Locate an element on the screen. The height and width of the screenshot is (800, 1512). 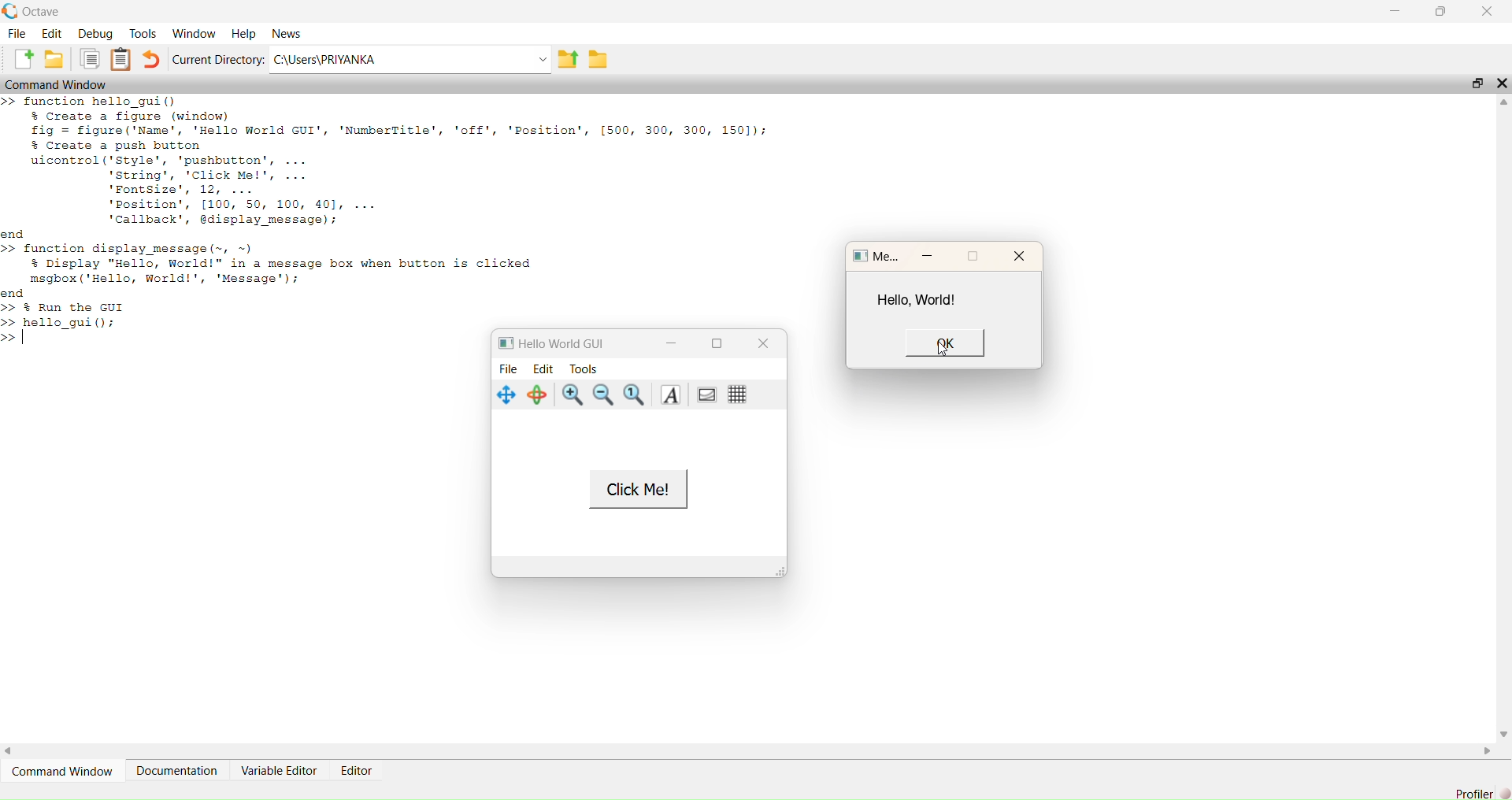
maximise is located at coordinates (980, 256).